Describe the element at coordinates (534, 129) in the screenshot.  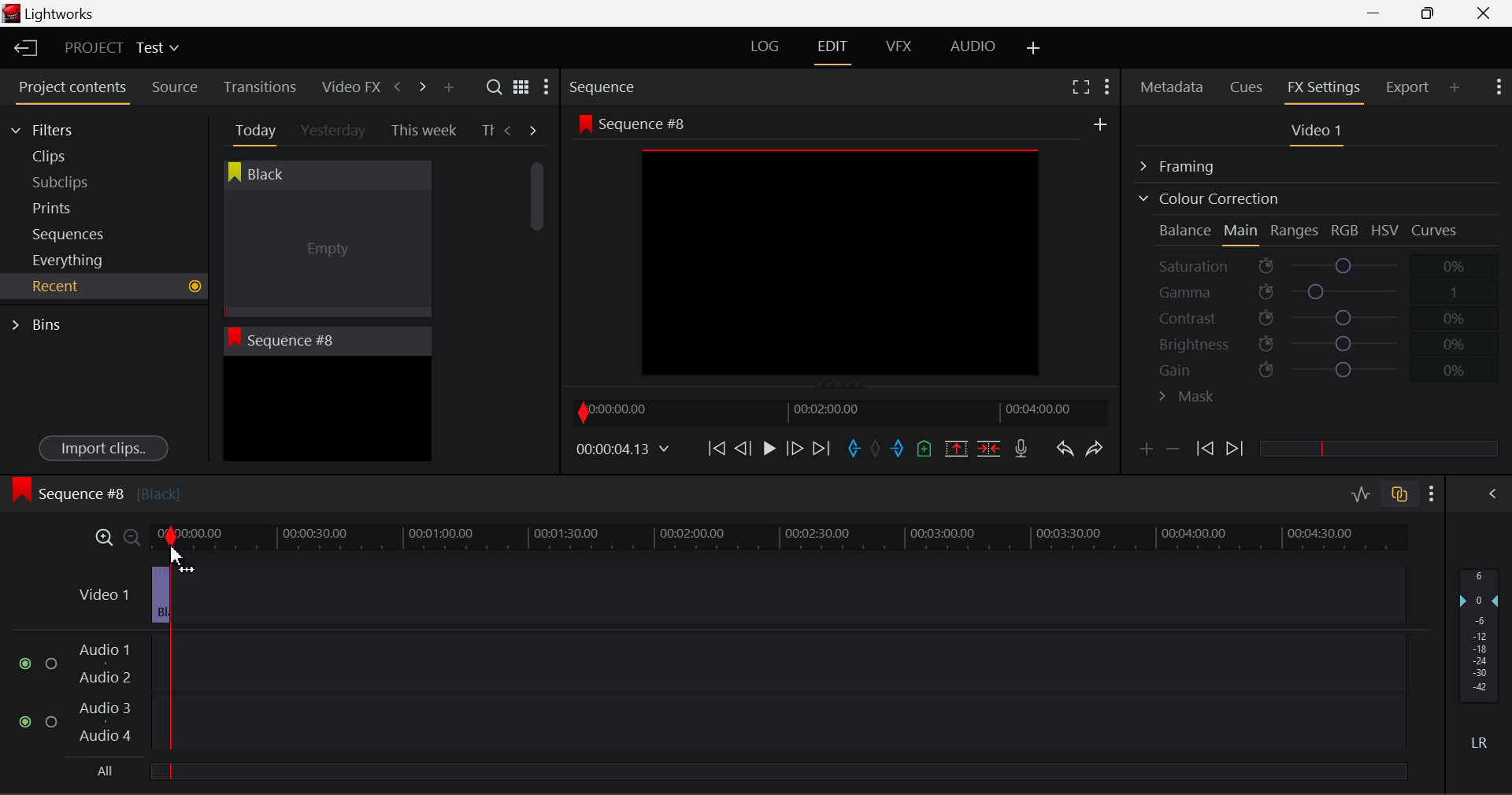
I see `Next Tab` at that location.